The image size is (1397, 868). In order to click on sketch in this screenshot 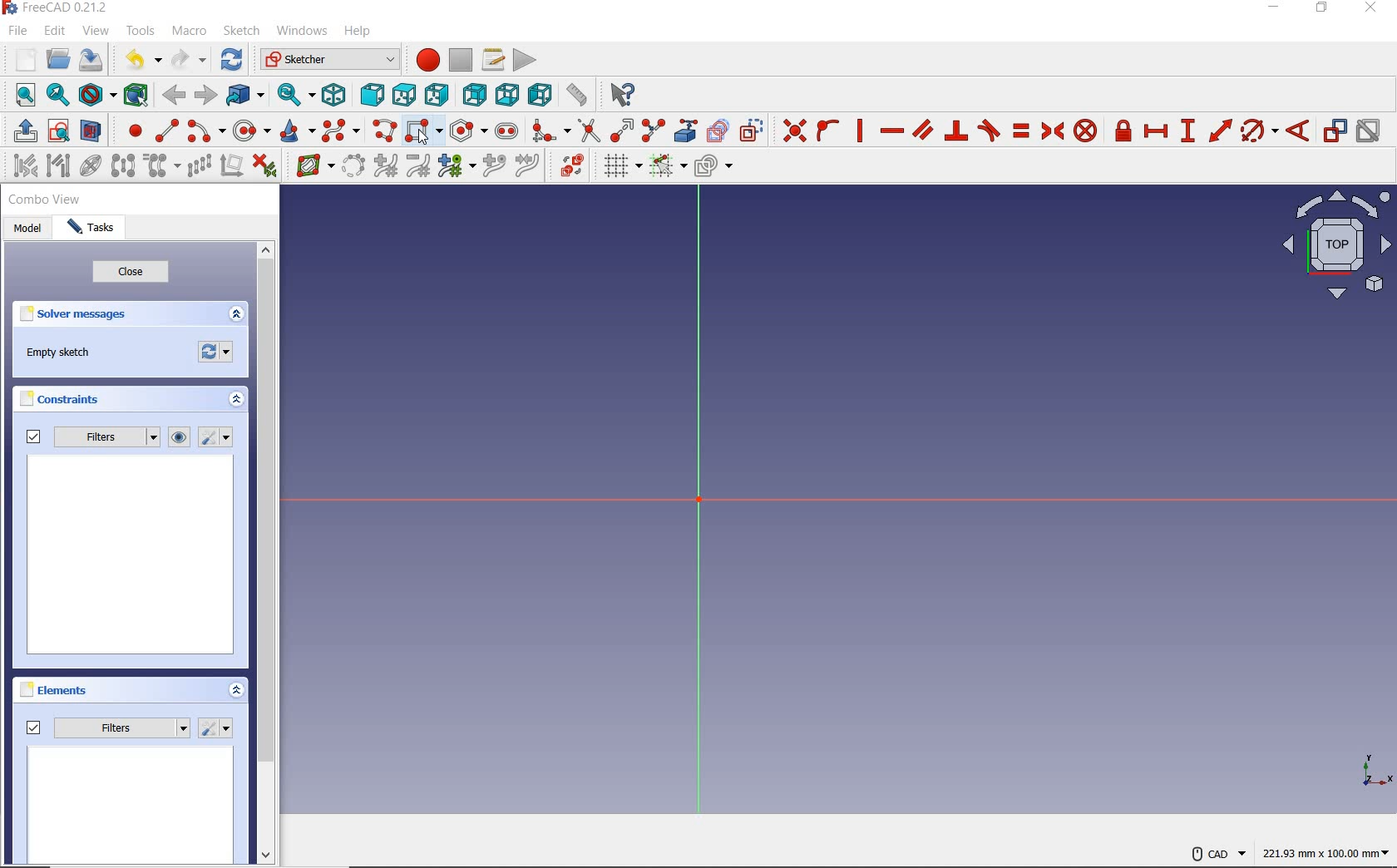, I will do `click(243, 31)`.